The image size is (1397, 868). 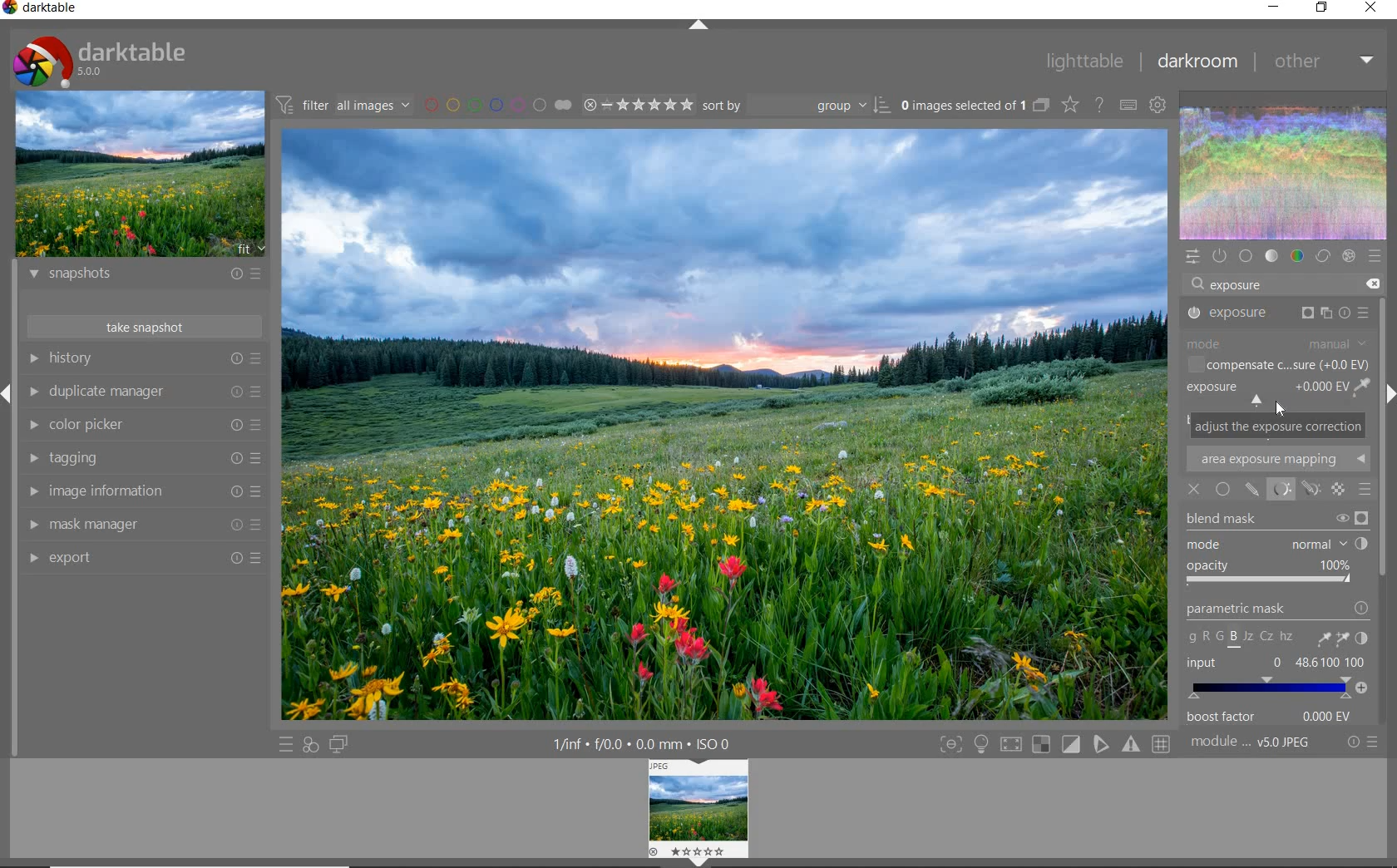 I want to click on expand grouped images, so click(x=975, y=106).